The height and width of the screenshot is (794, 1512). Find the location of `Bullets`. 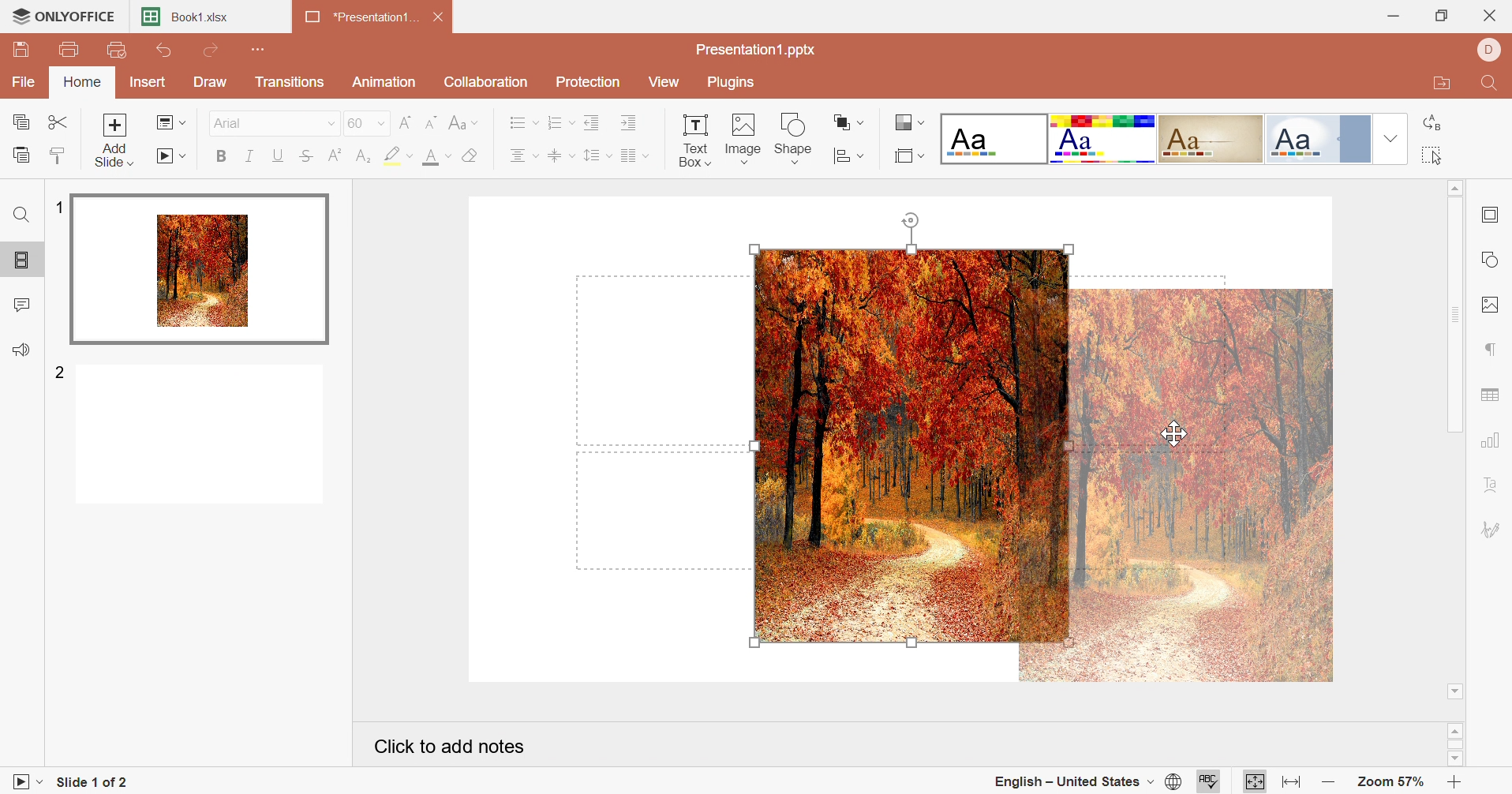

Bullets is located at coordinates (524, 124).